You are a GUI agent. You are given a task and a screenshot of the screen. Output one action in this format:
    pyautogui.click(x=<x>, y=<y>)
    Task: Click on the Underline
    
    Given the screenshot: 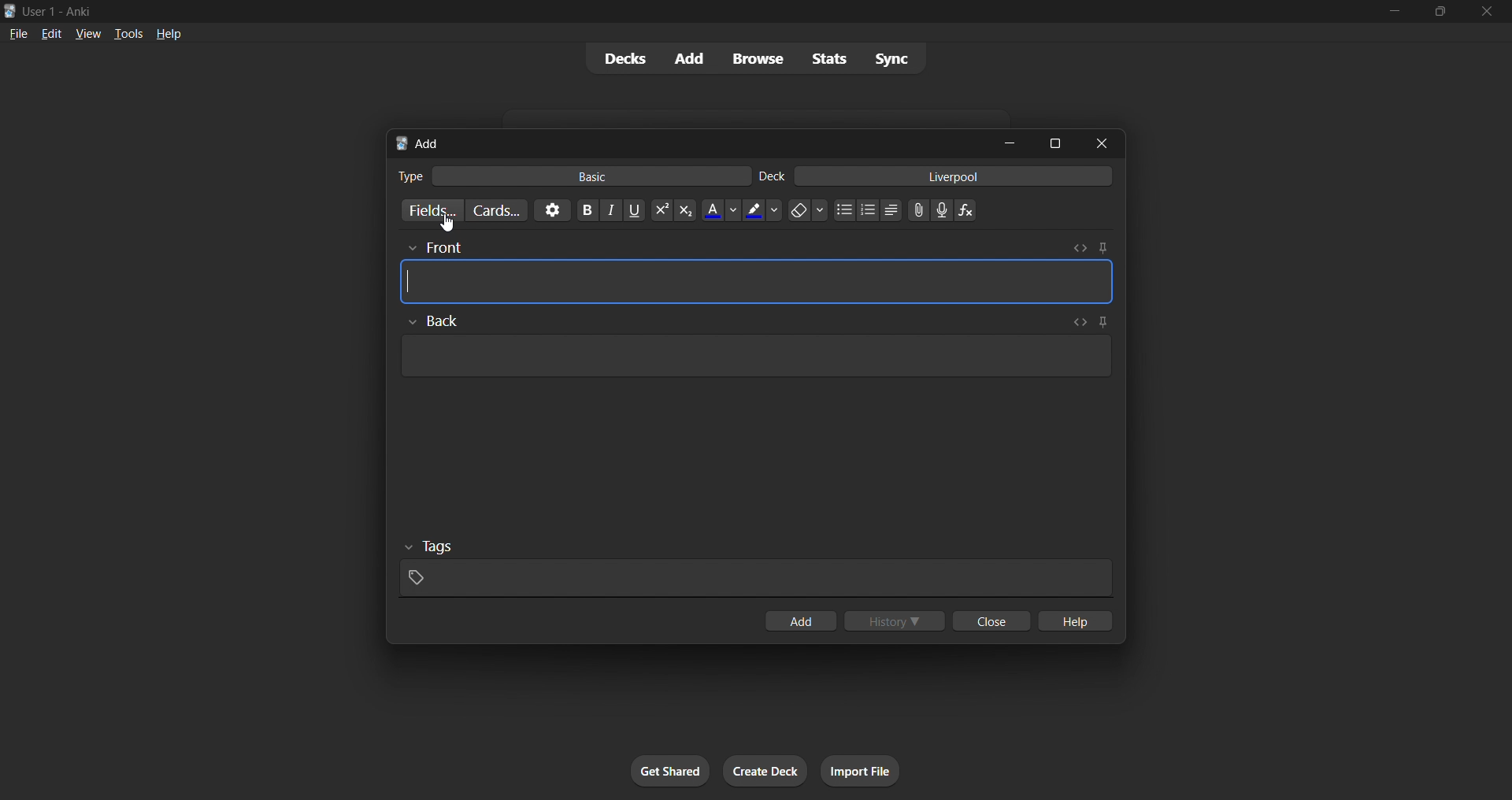 What is the action you would take?
    pyautogui.click(x=634, y=210)
    